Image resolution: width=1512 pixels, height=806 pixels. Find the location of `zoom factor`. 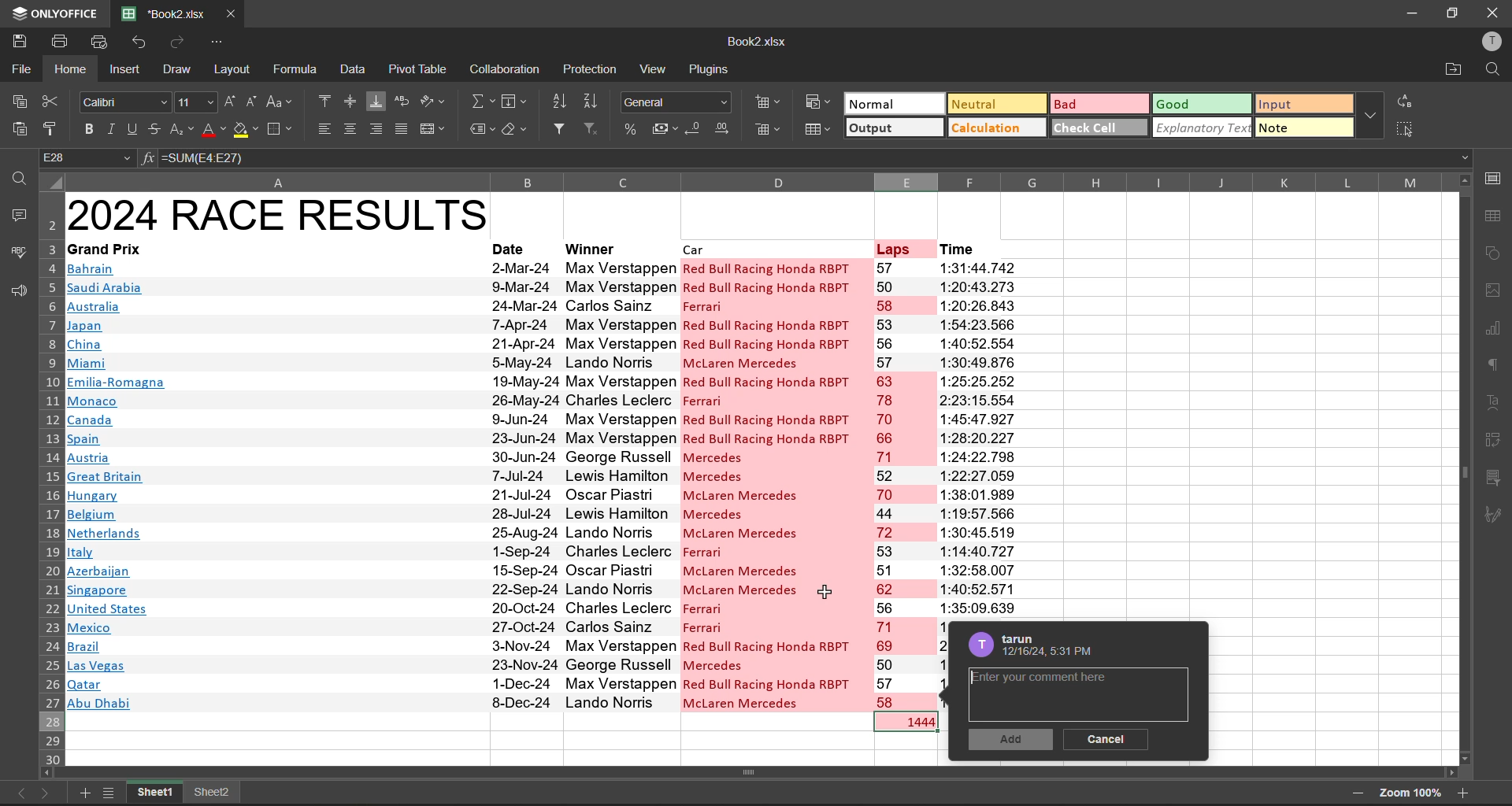

zoom factor is located at coordinates (1409, 792).